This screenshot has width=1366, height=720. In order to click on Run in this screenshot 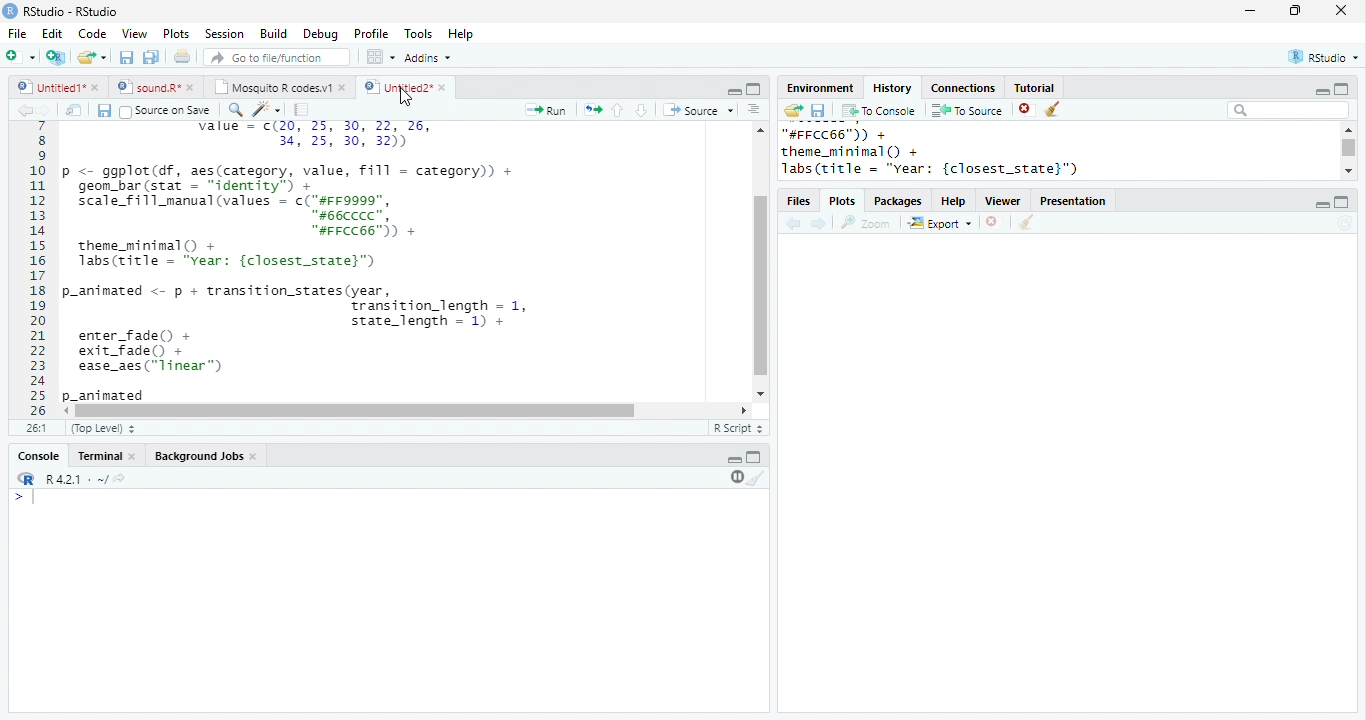, I will do `click(548, 110)`.